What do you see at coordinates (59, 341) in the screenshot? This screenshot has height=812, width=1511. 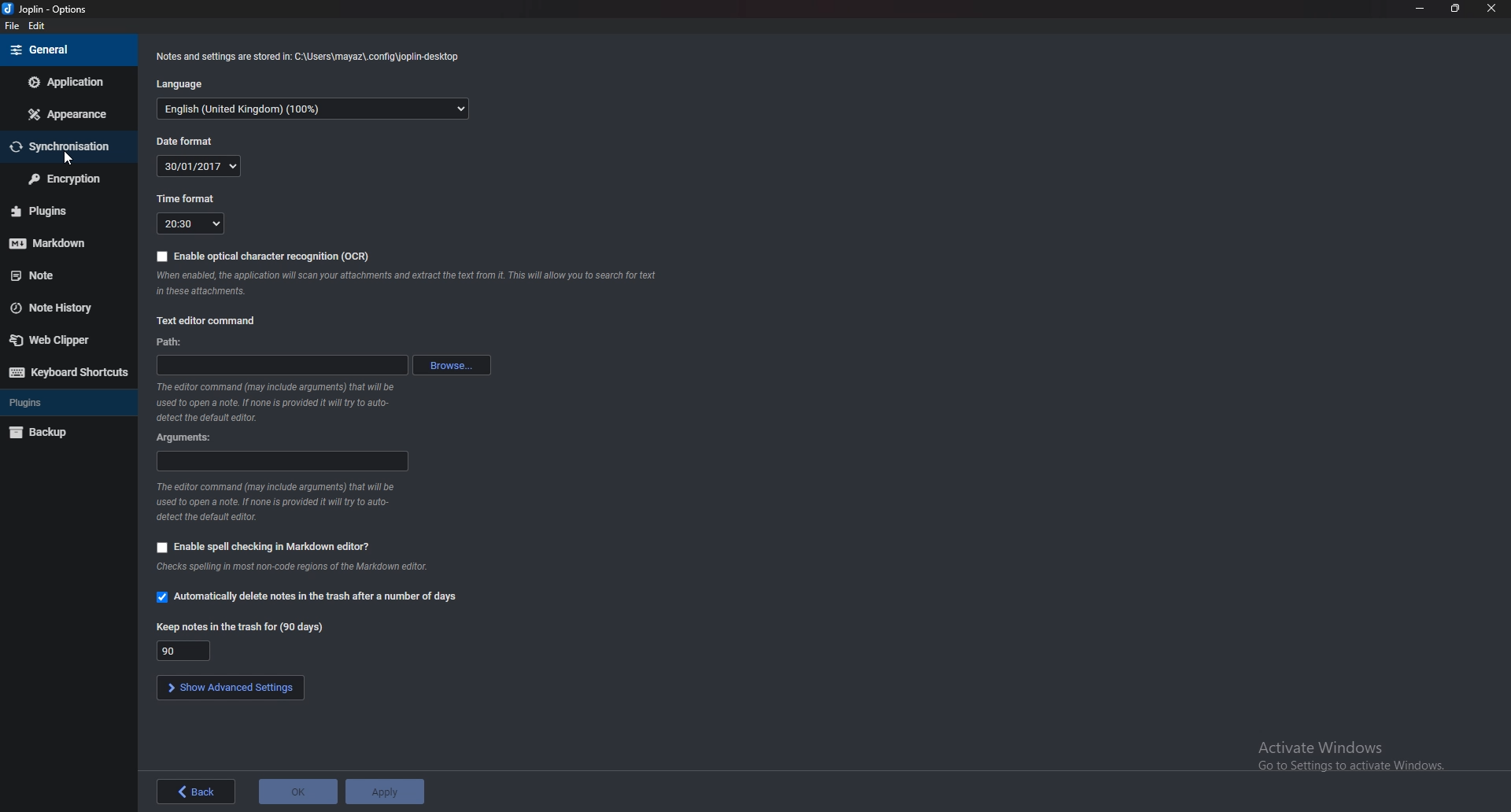 I see `web clipper` at bounding box center [59, 341].